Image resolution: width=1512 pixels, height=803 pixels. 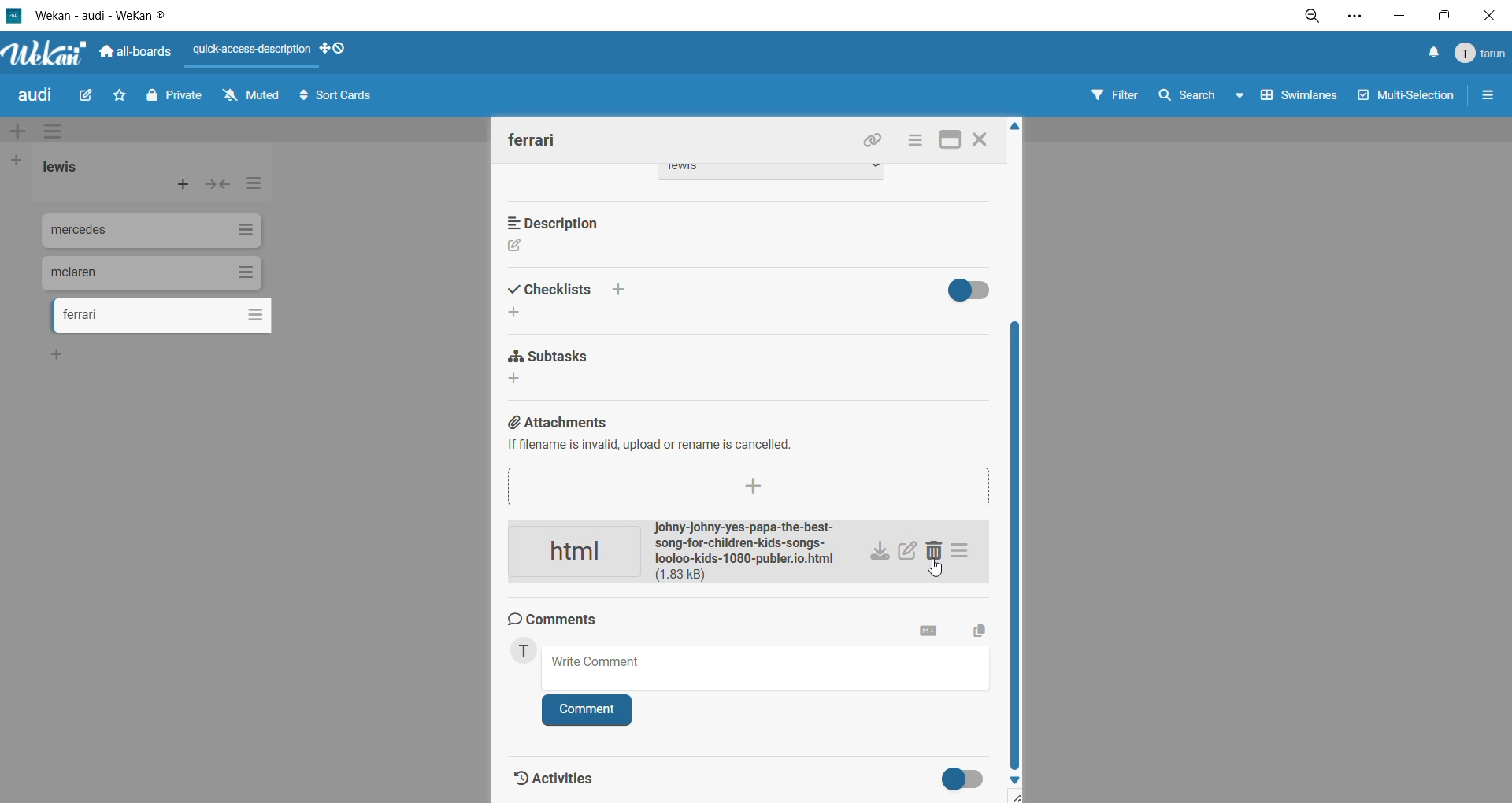 I want to click on cards, so click(x=163, y=318).